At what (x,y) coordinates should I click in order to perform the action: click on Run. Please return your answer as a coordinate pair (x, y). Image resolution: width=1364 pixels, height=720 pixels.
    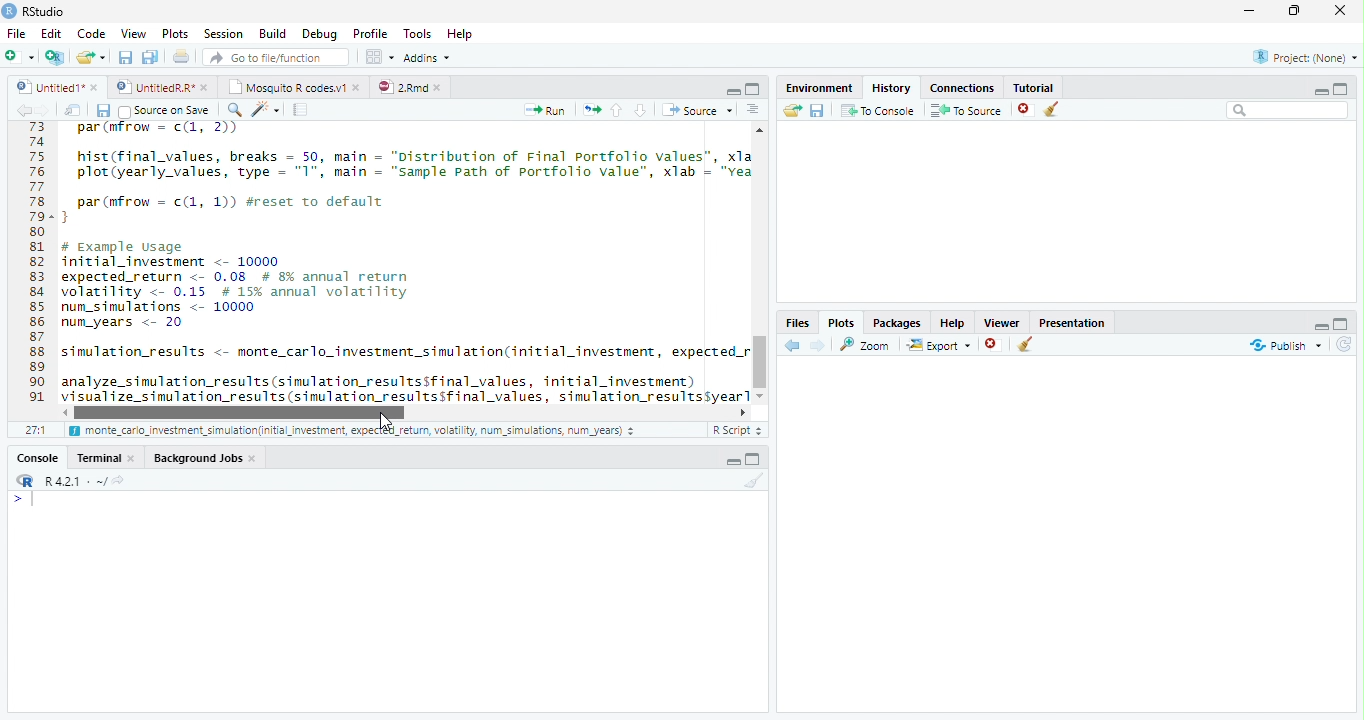
    Looking at the image, I should click on (546, 110).